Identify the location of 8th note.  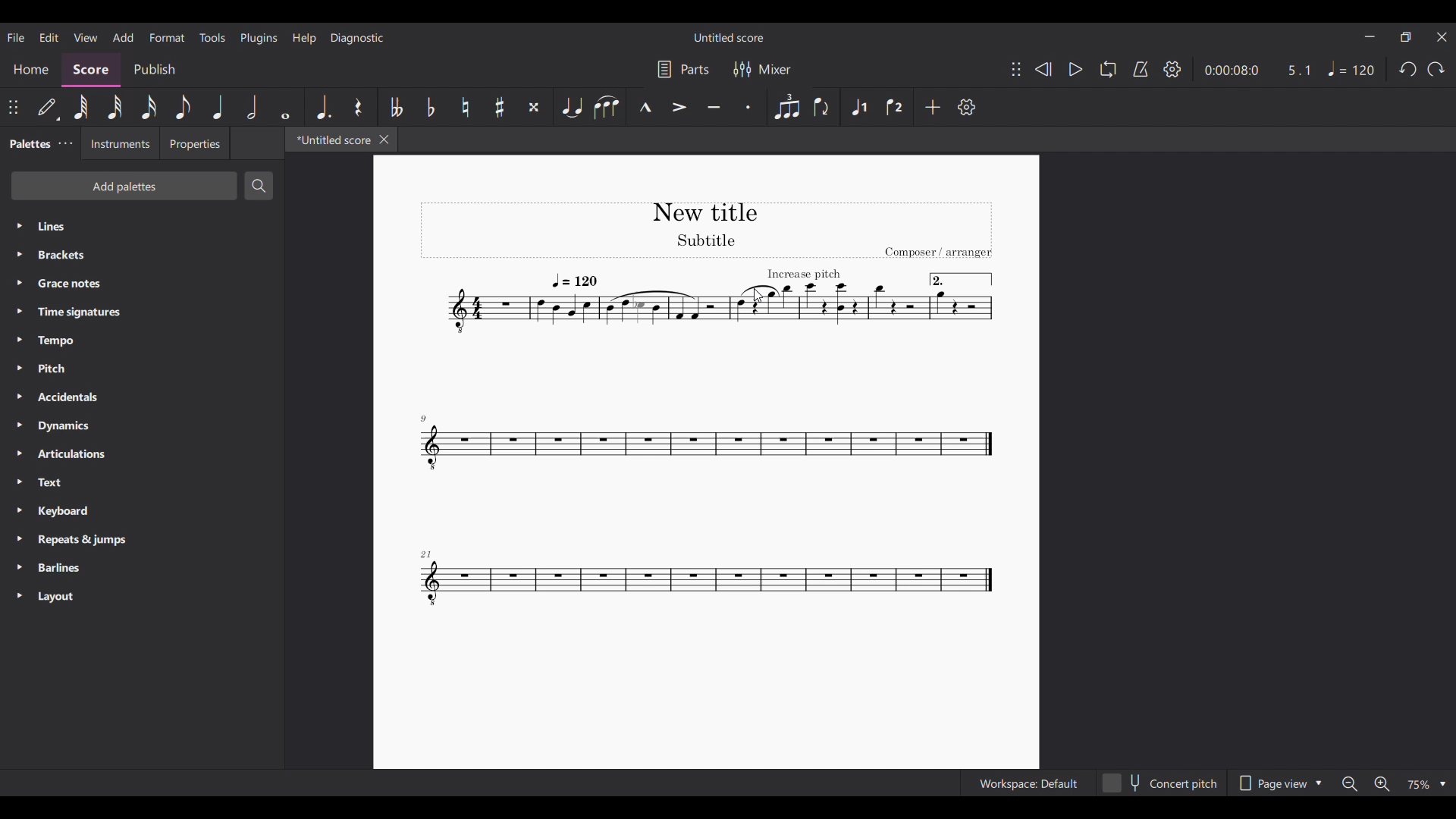
(183, 107).